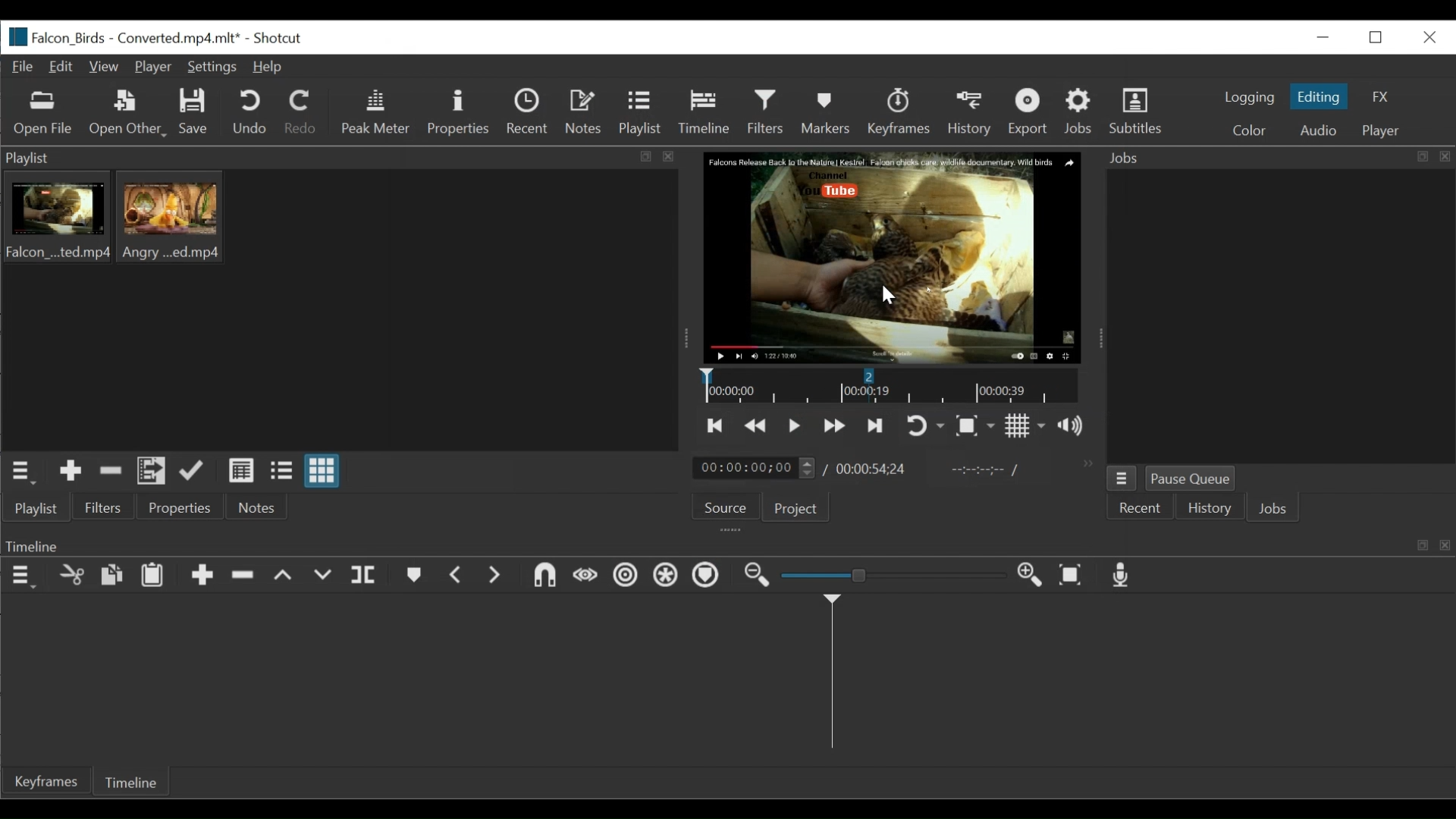 The image size is (1456, 819). I want to click on Jobs, so click(1277, 510).